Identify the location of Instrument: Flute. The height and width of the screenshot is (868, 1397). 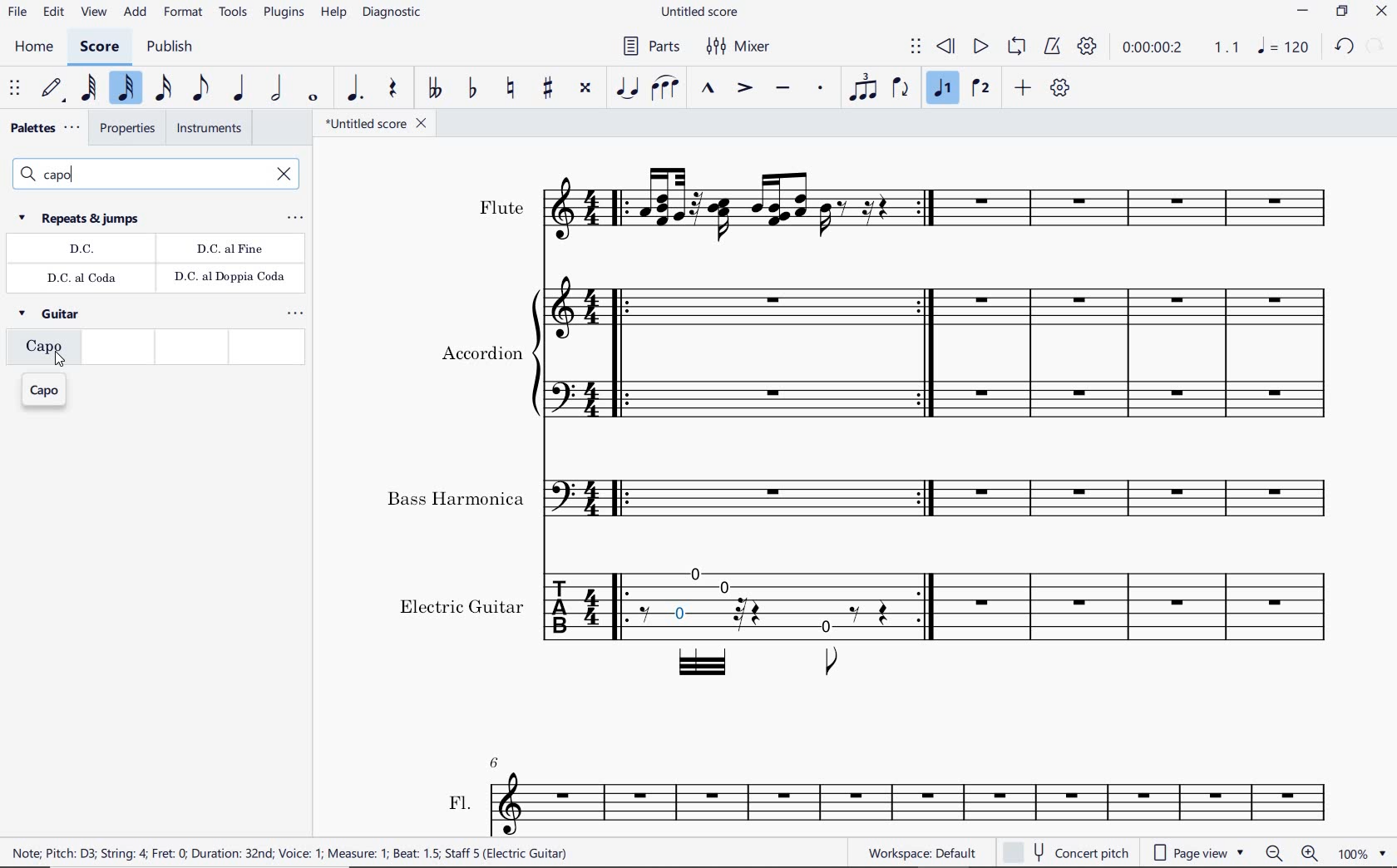
(906, 206).